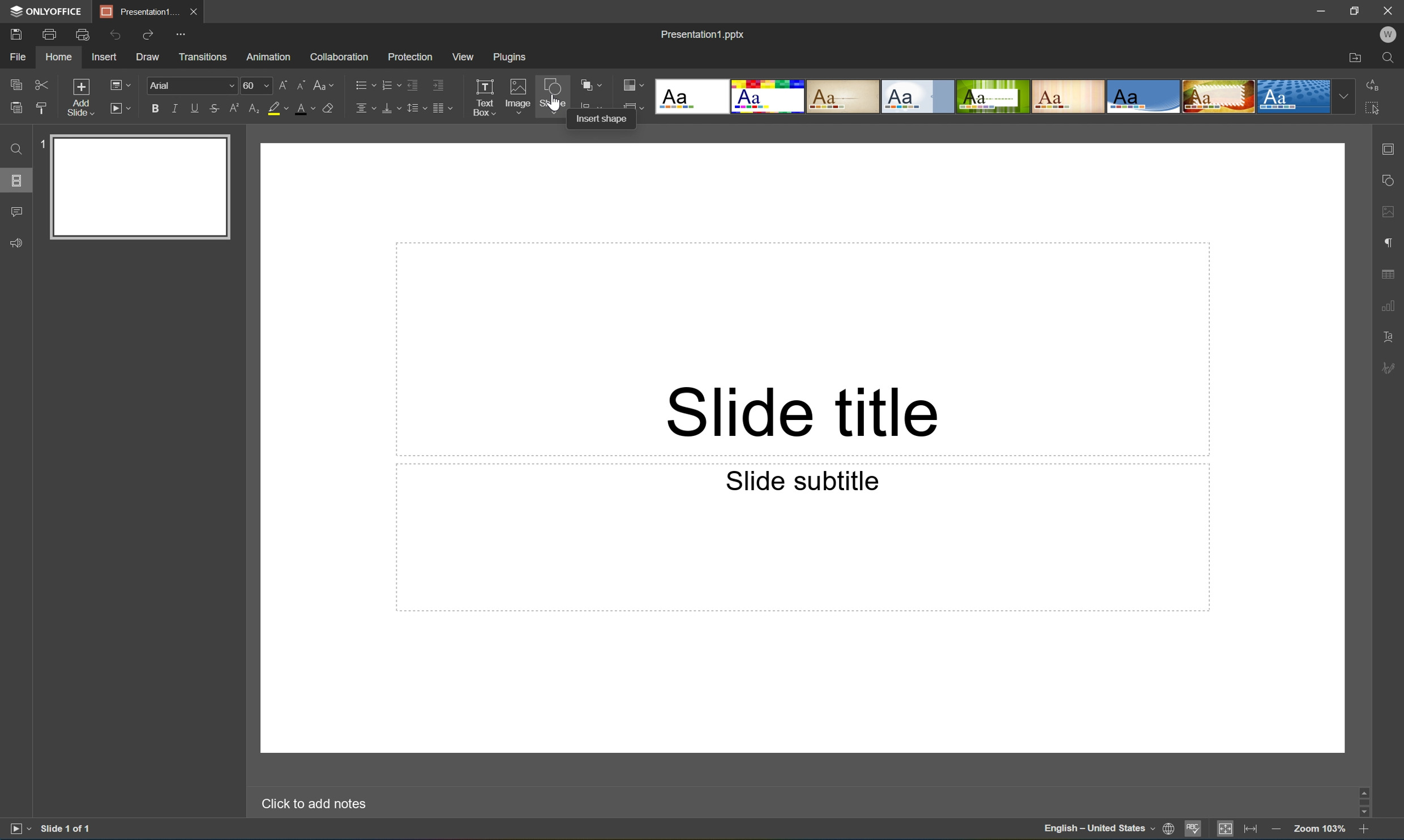 This screenshot has width=1404, height=840. What do you see at coordinates (461, 55) in the screenshot?
I see `View` at bounding box center [461, 55].